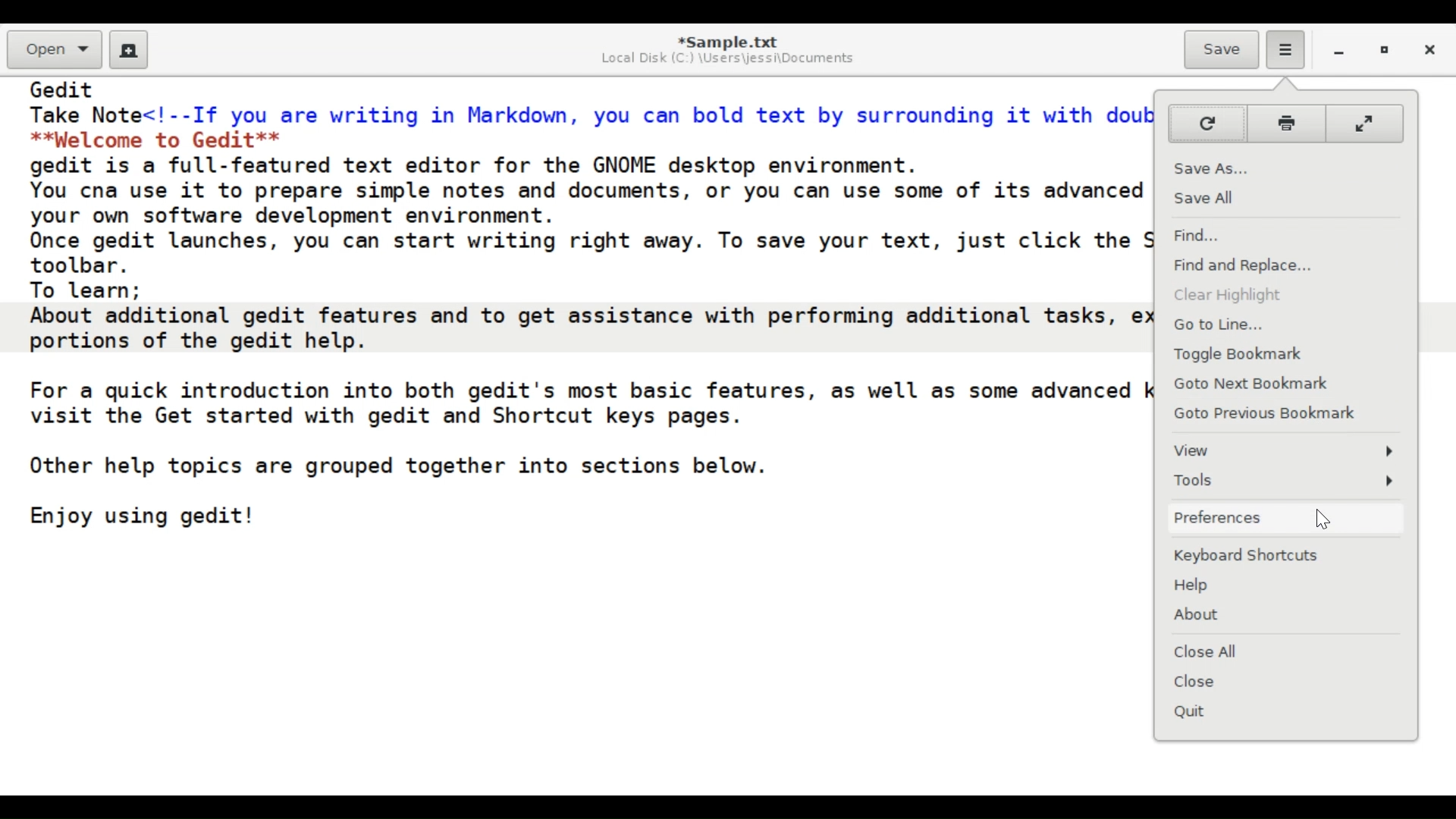 Image resolution: width=1456 pixels, height=819 pixels. Describe the element at coordinates (1387, 52) in the screenshot. I see `restore` at that location.